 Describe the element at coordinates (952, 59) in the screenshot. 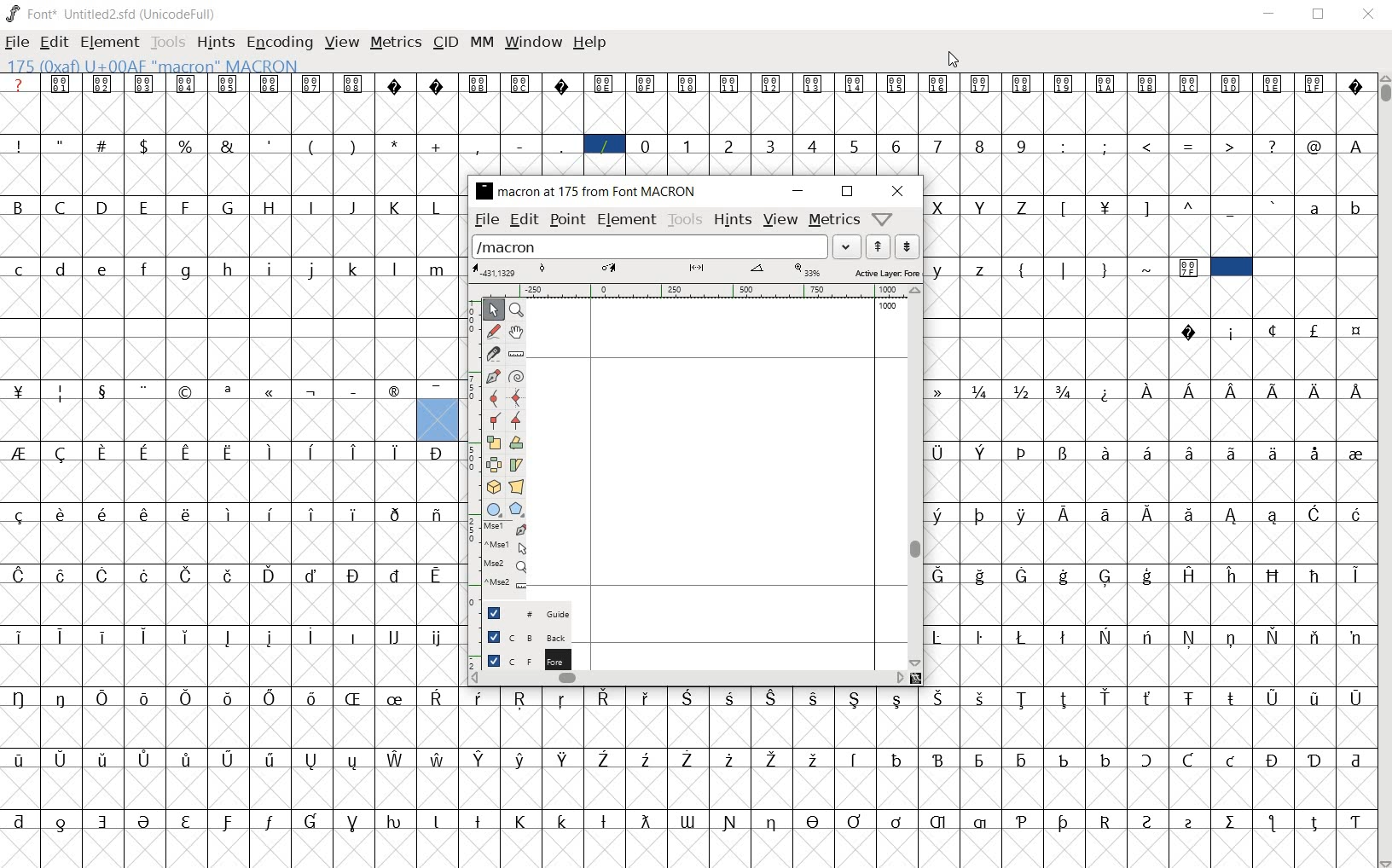

I see `Cursor` at that location.